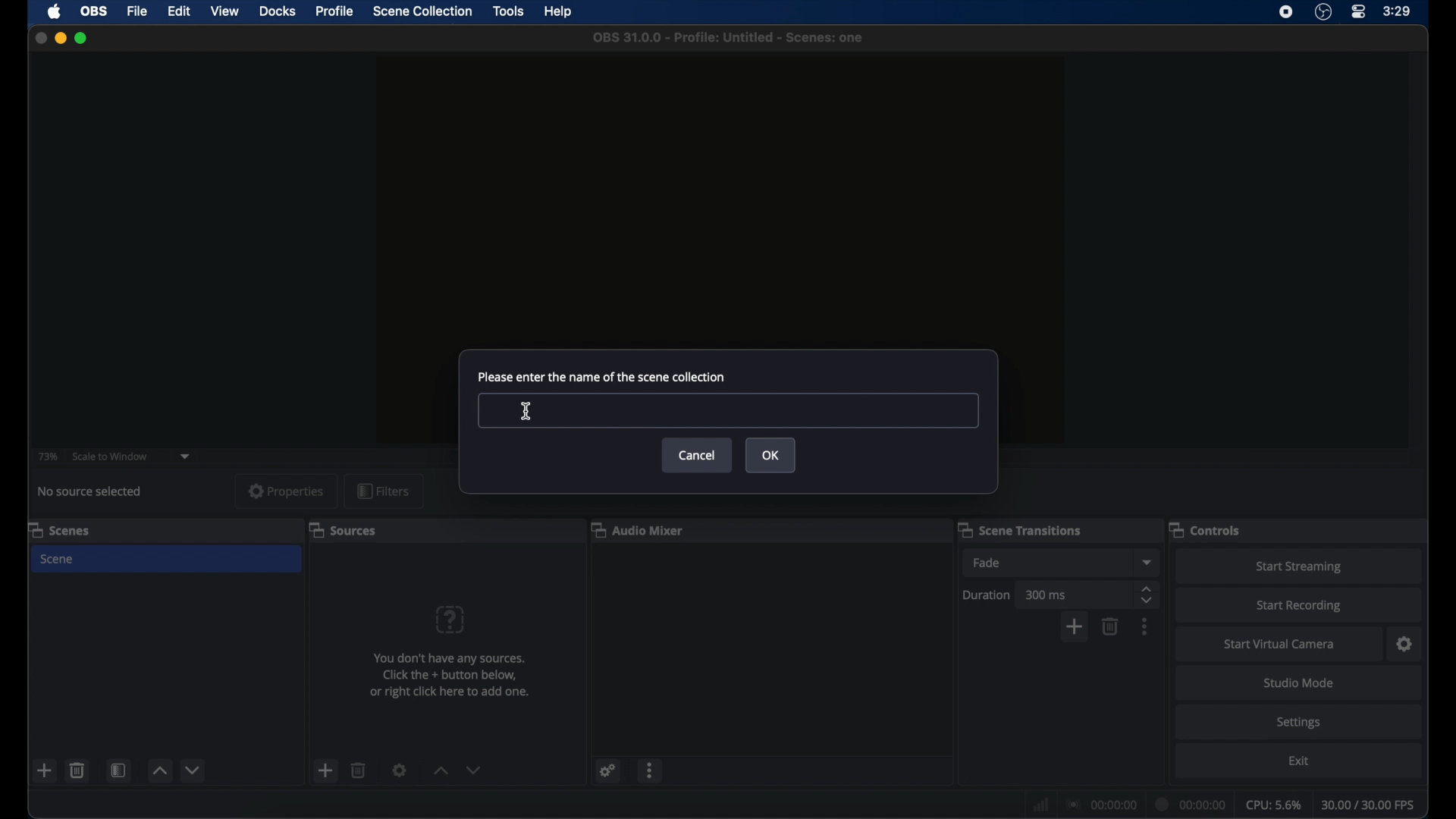 The height and width of the screenshot is (819, 1456). Describe the element at coordinates (47, 456) in the screenshot. I see `73%` at that location.